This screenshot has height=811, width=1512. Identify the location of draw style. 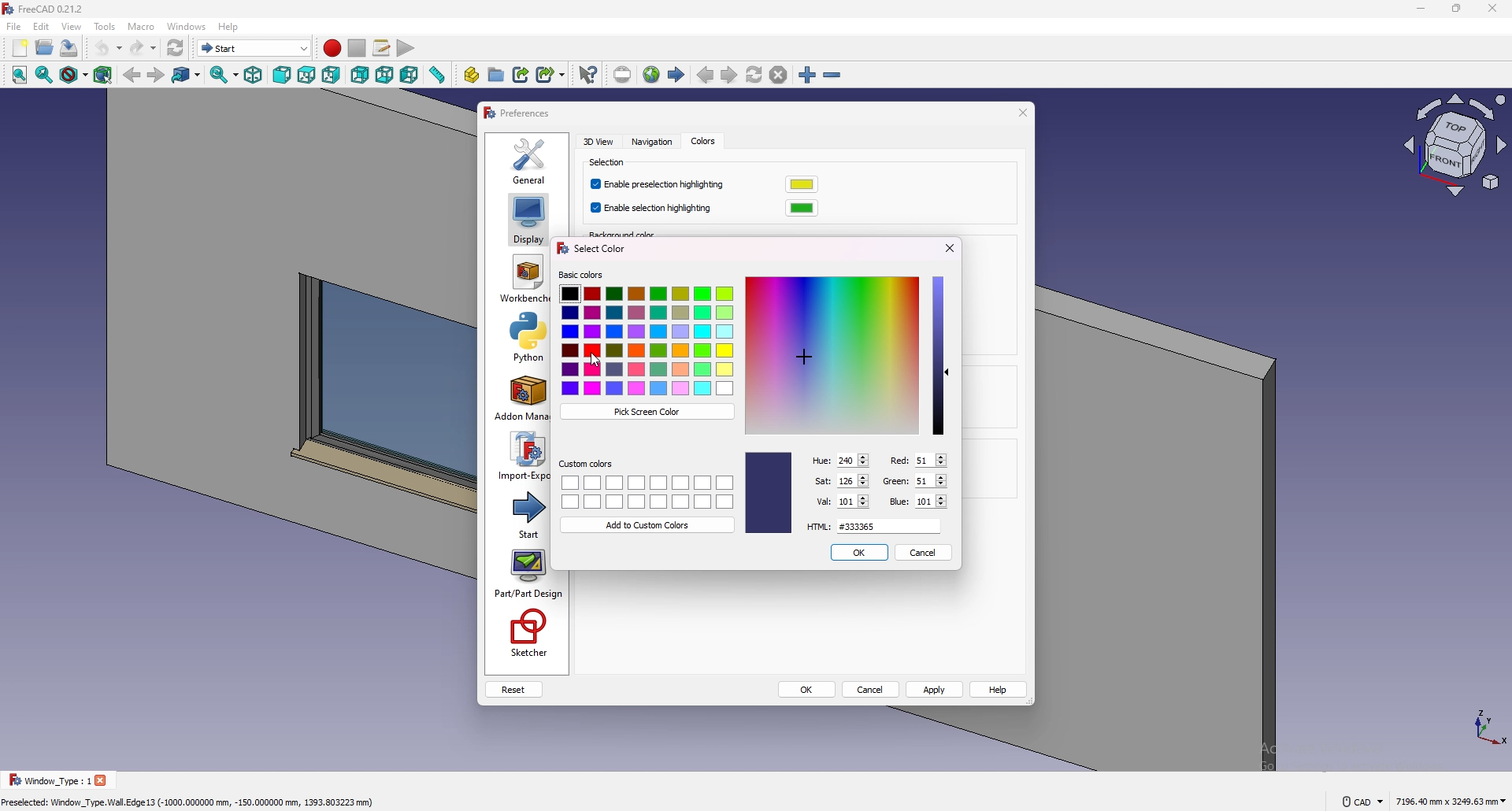
(74, 76).